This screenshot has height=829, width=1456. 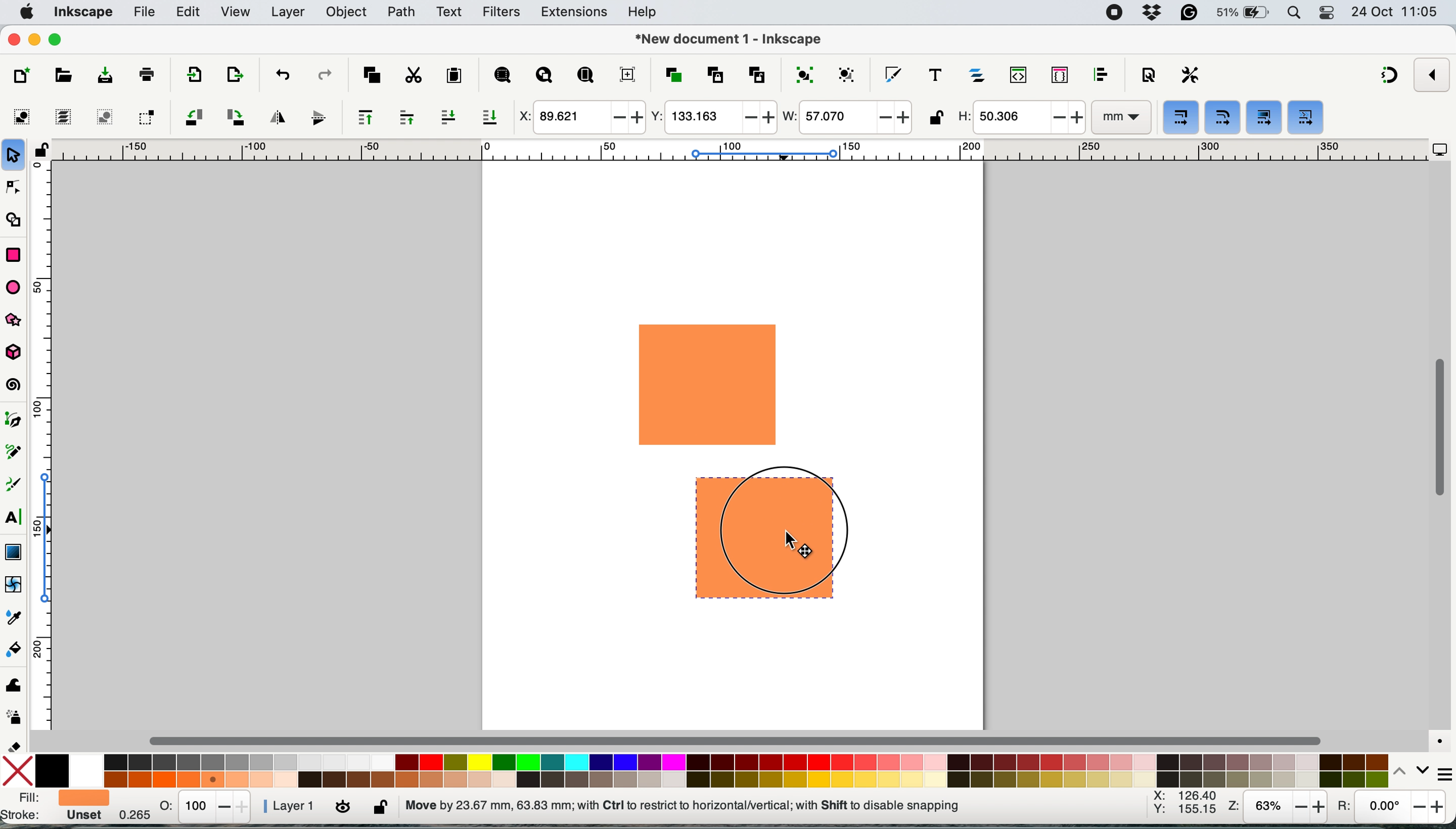 What do you see at coordinates (1191, 14) in the screenshot?
I see `grammarly` at bounding box center [1191, 14].